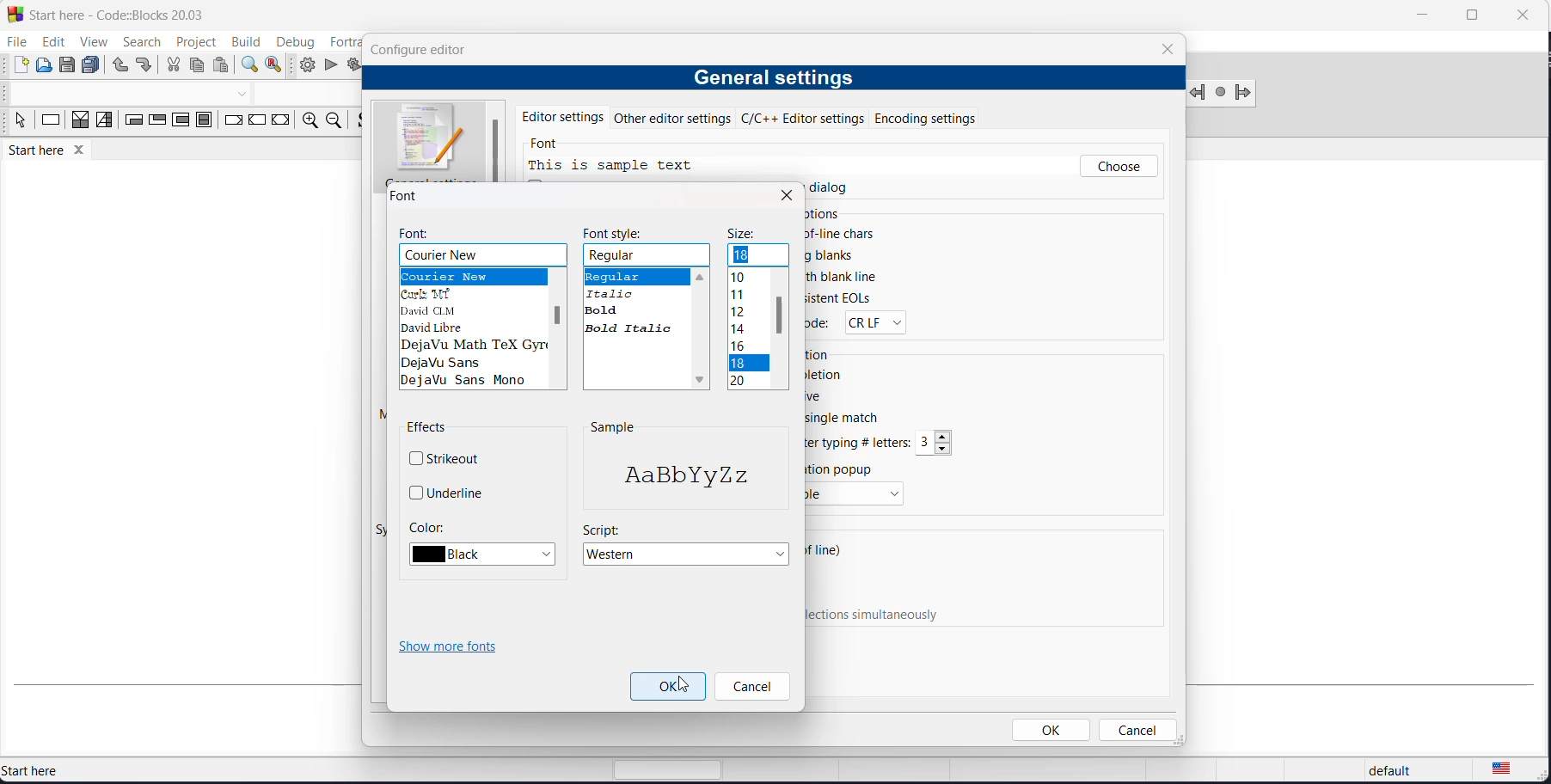 The width and height of the screenshot is (1551, 784). I want to click on search, so click(135, 42).